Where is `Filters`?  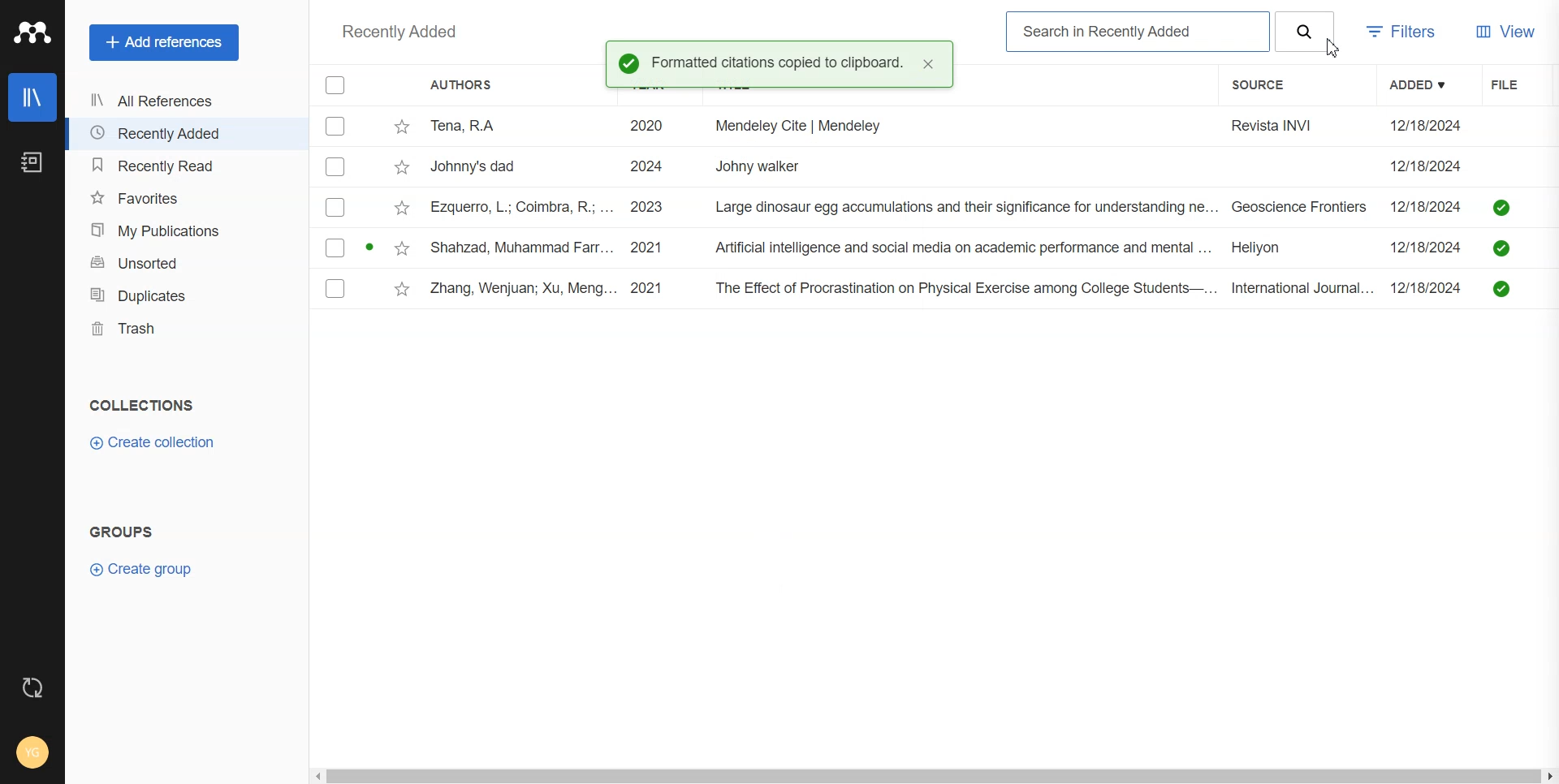 Filters is located at coordinates (1406, 34).